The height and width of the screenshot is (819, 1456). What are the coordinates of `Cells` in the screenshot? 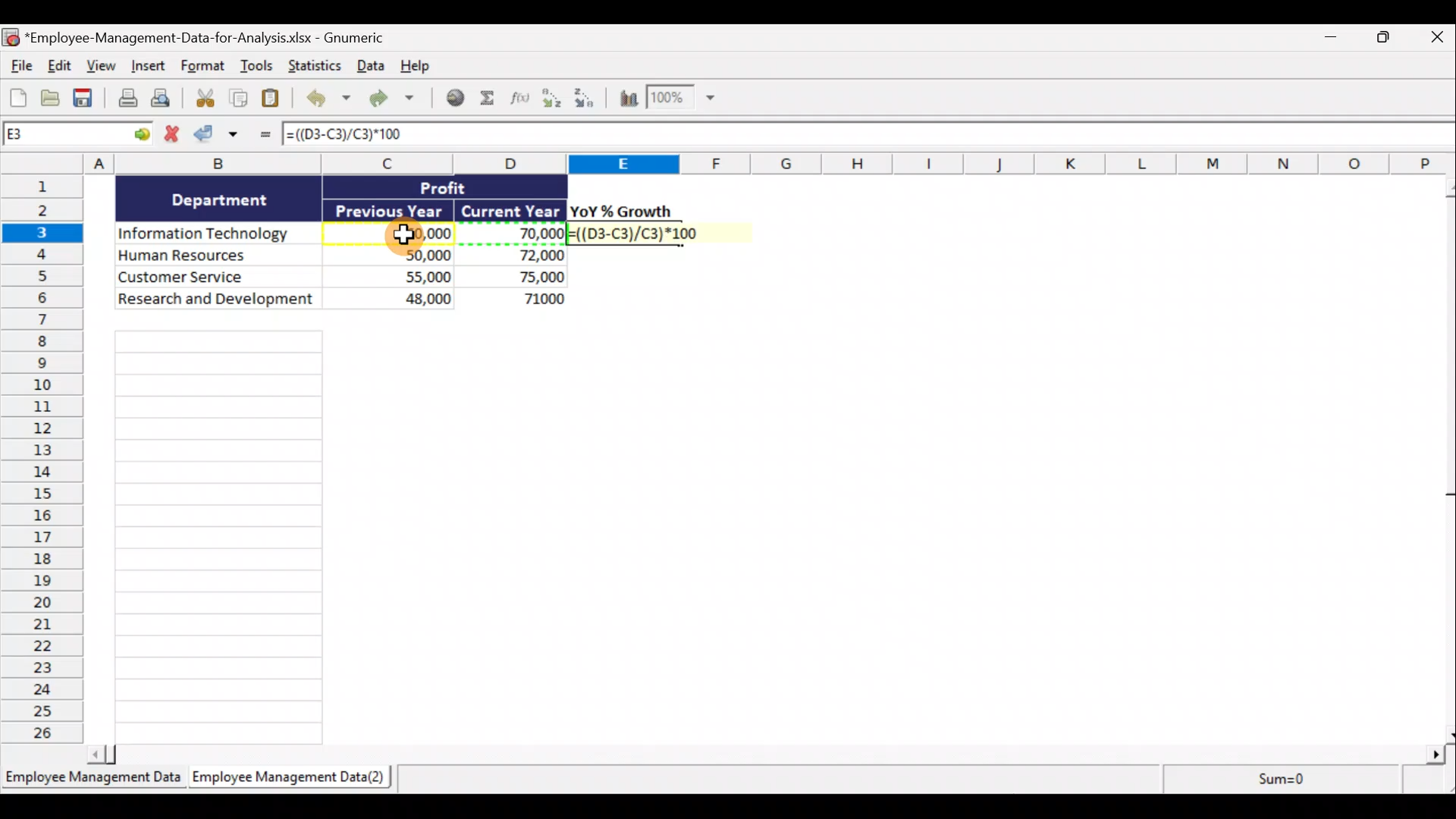 It's located at (220, 537).